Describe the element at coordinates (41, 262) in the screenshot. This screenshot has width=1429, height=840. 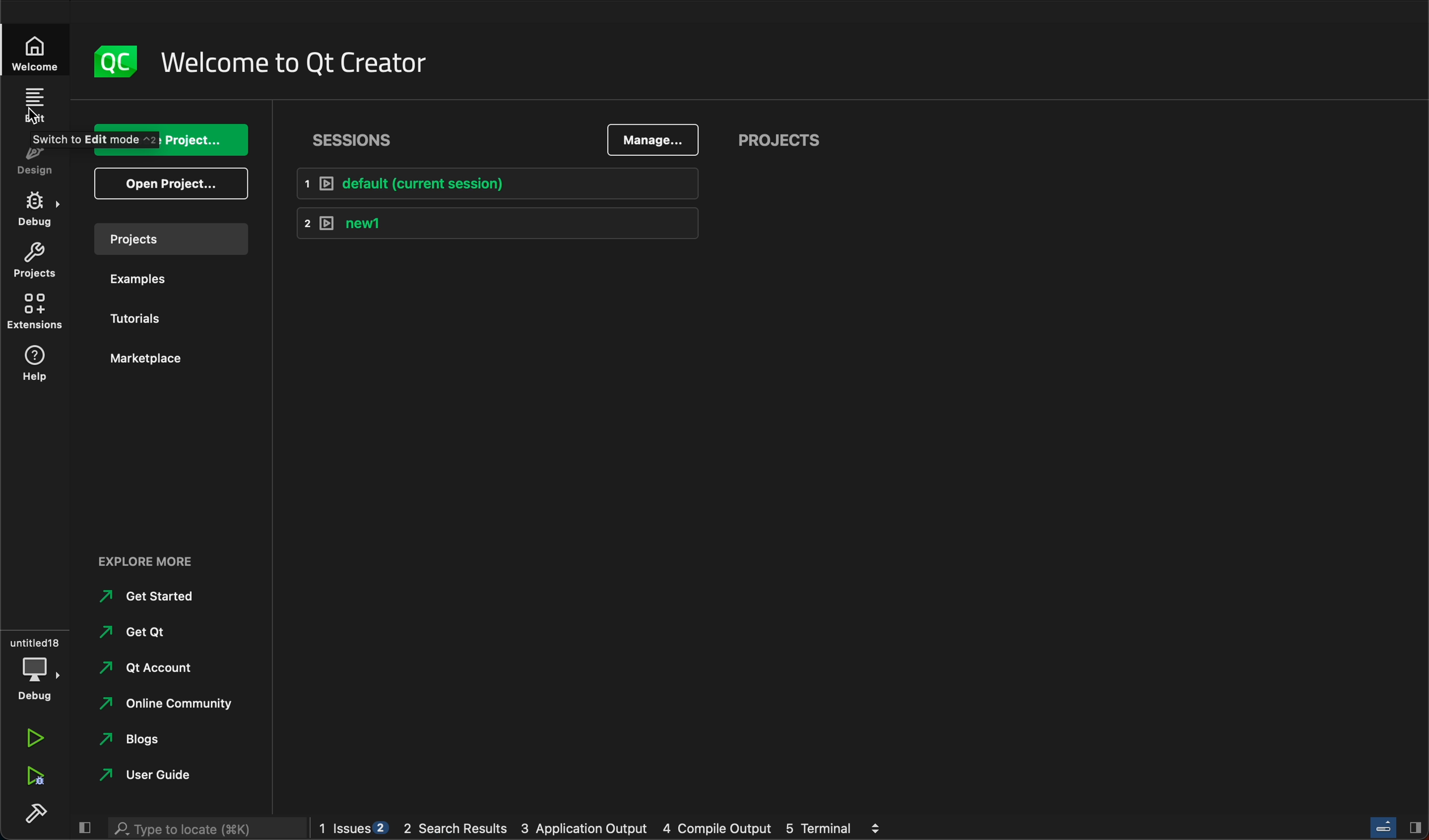
I see `project` at that location.